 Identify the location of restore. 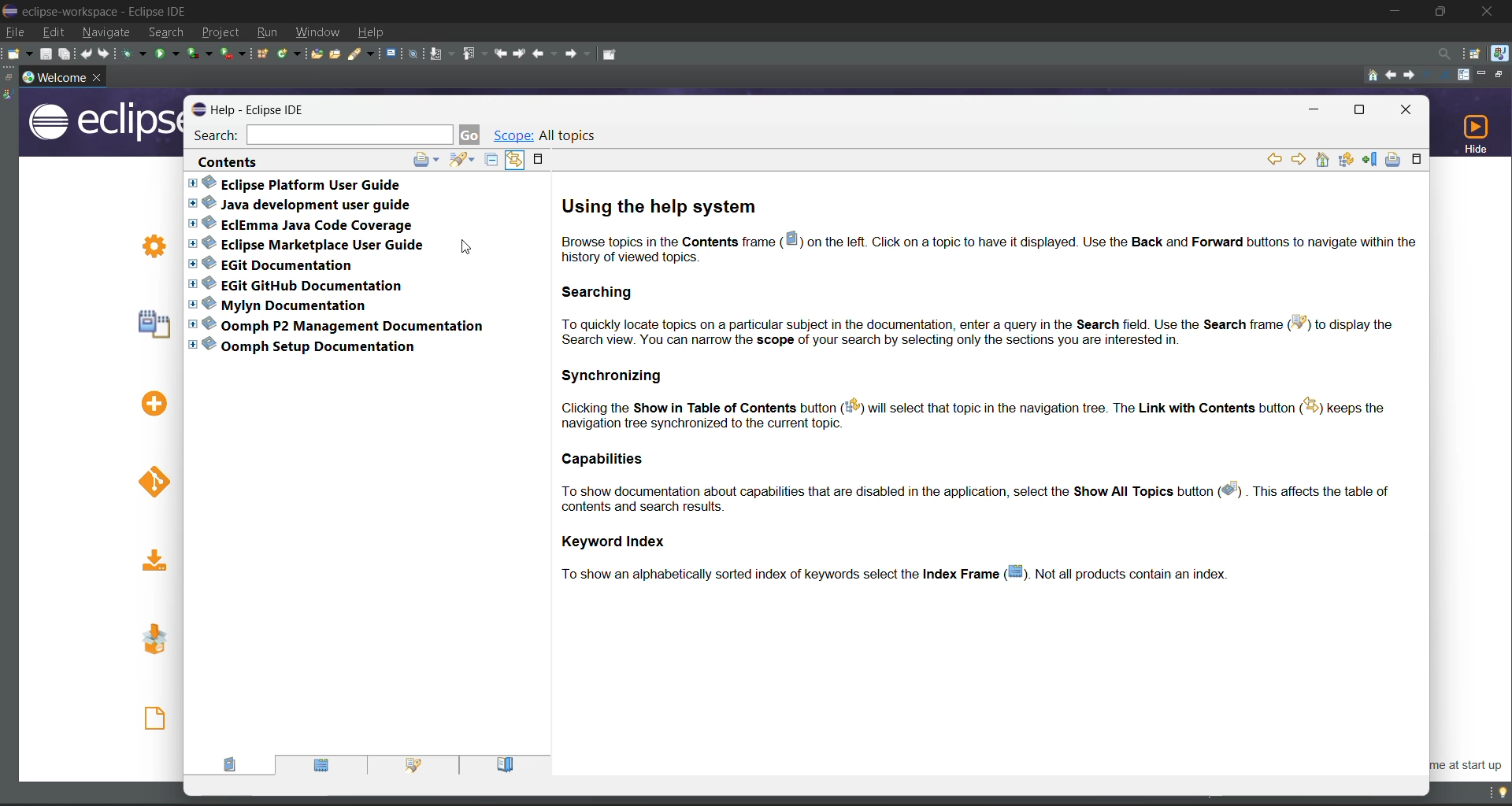
(9, 76).